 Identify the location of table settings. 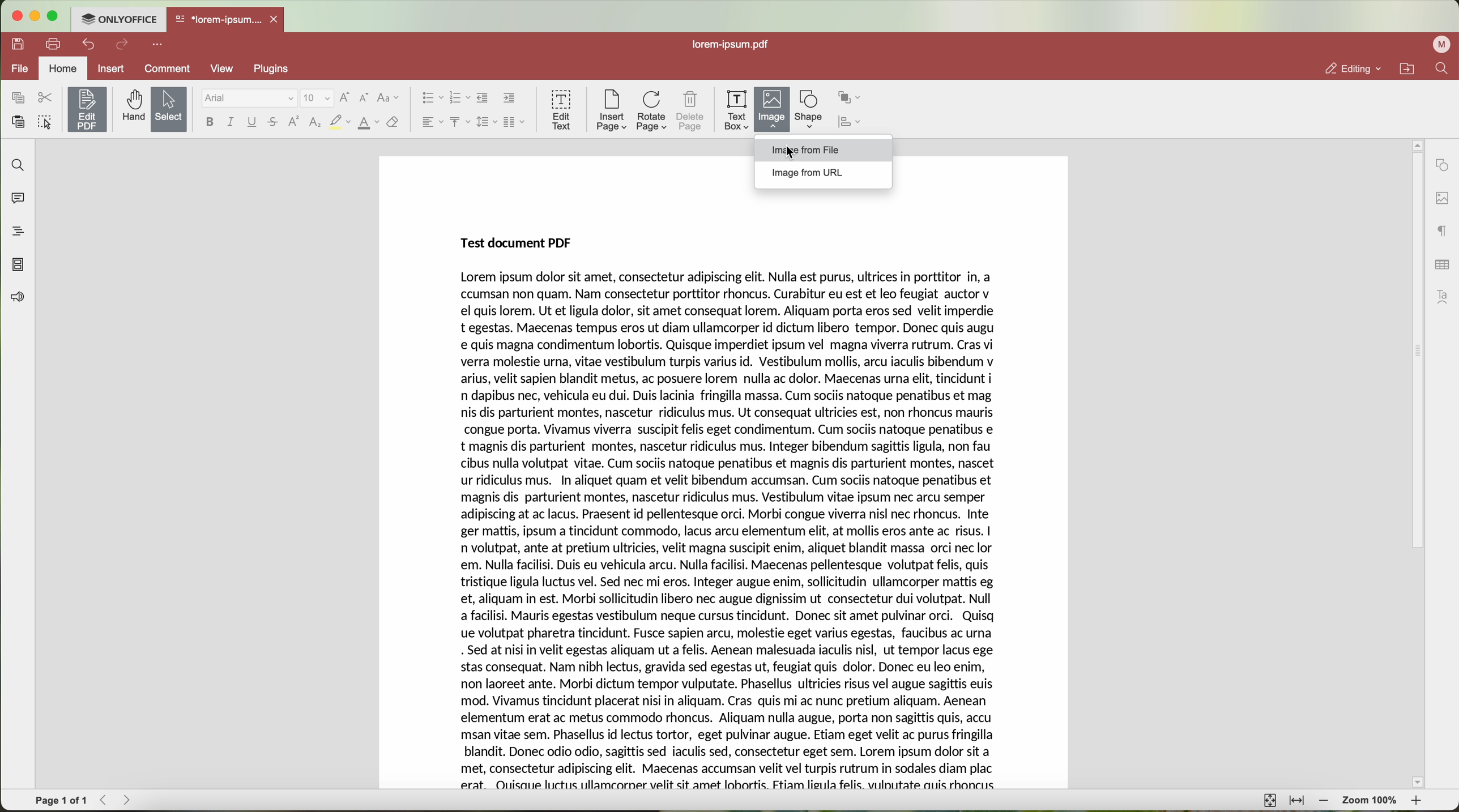
(1442, 264).